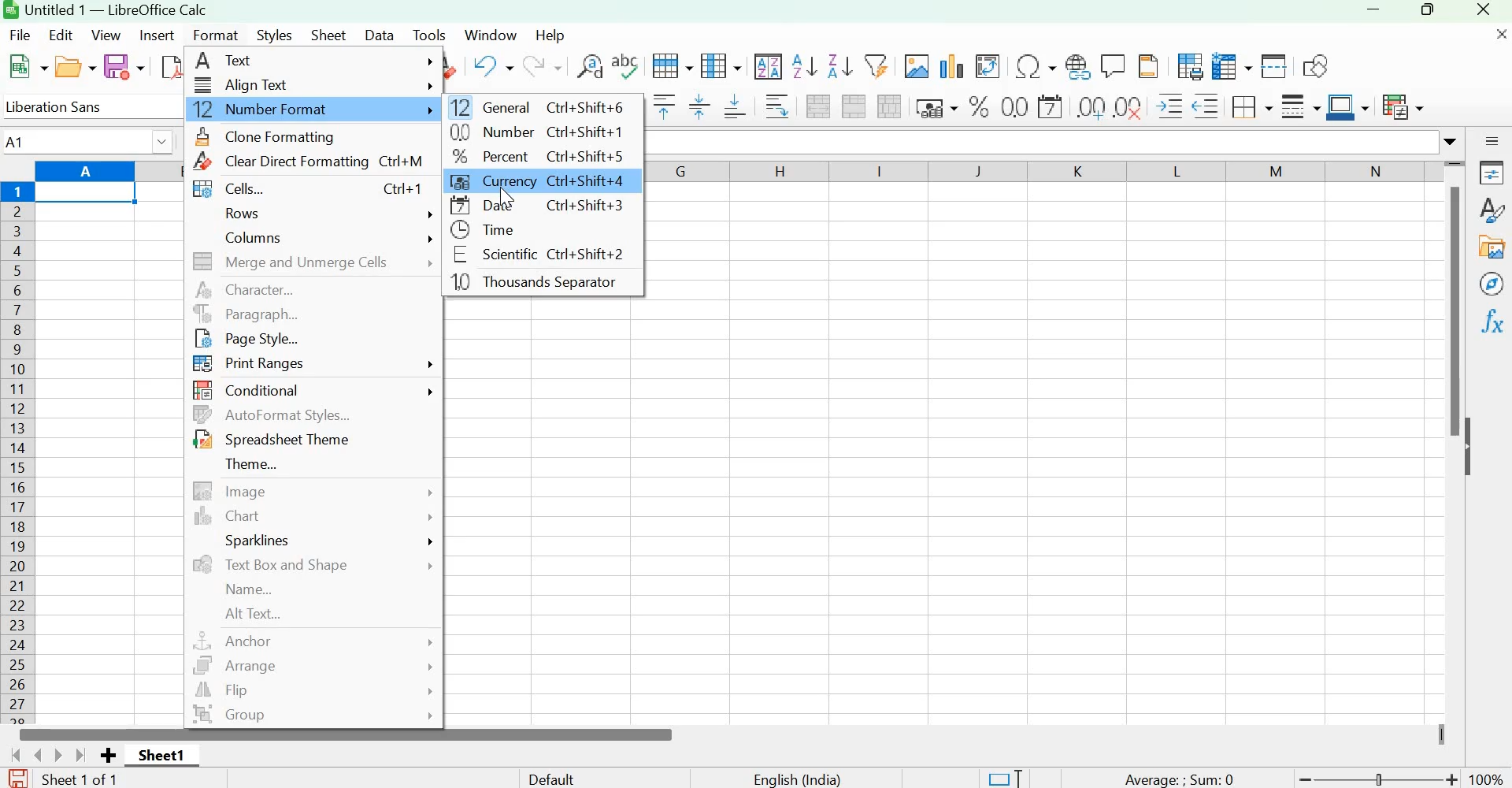 This screenshot has height=788, width=1512. Describe the element at coordinates (315, 62) in the screenshot. I see `Text` at that location.